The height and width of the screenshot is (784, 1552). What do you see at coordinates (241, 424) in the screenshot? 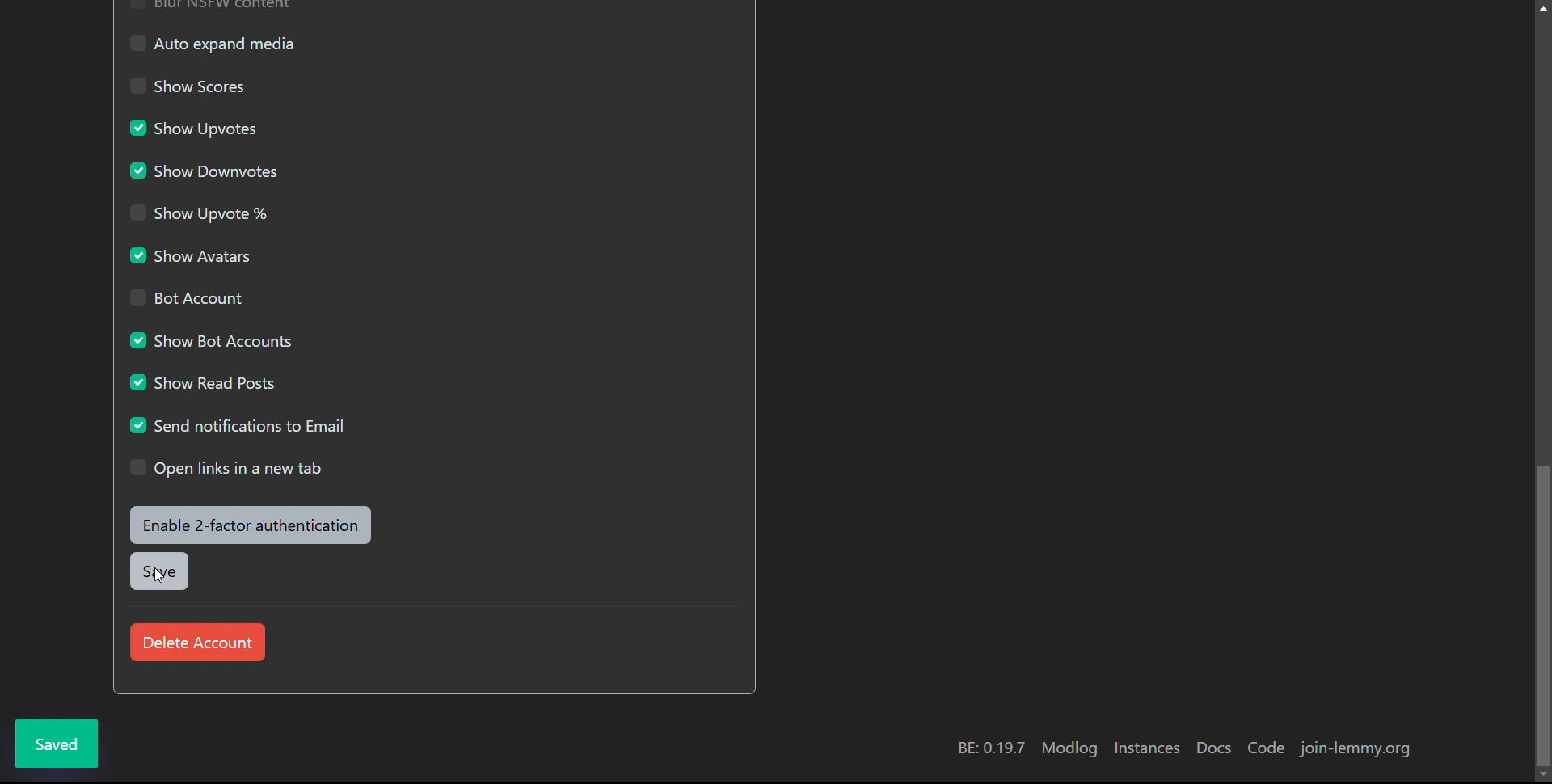
I see `send notifications to email` at bounding box center [241, 424].